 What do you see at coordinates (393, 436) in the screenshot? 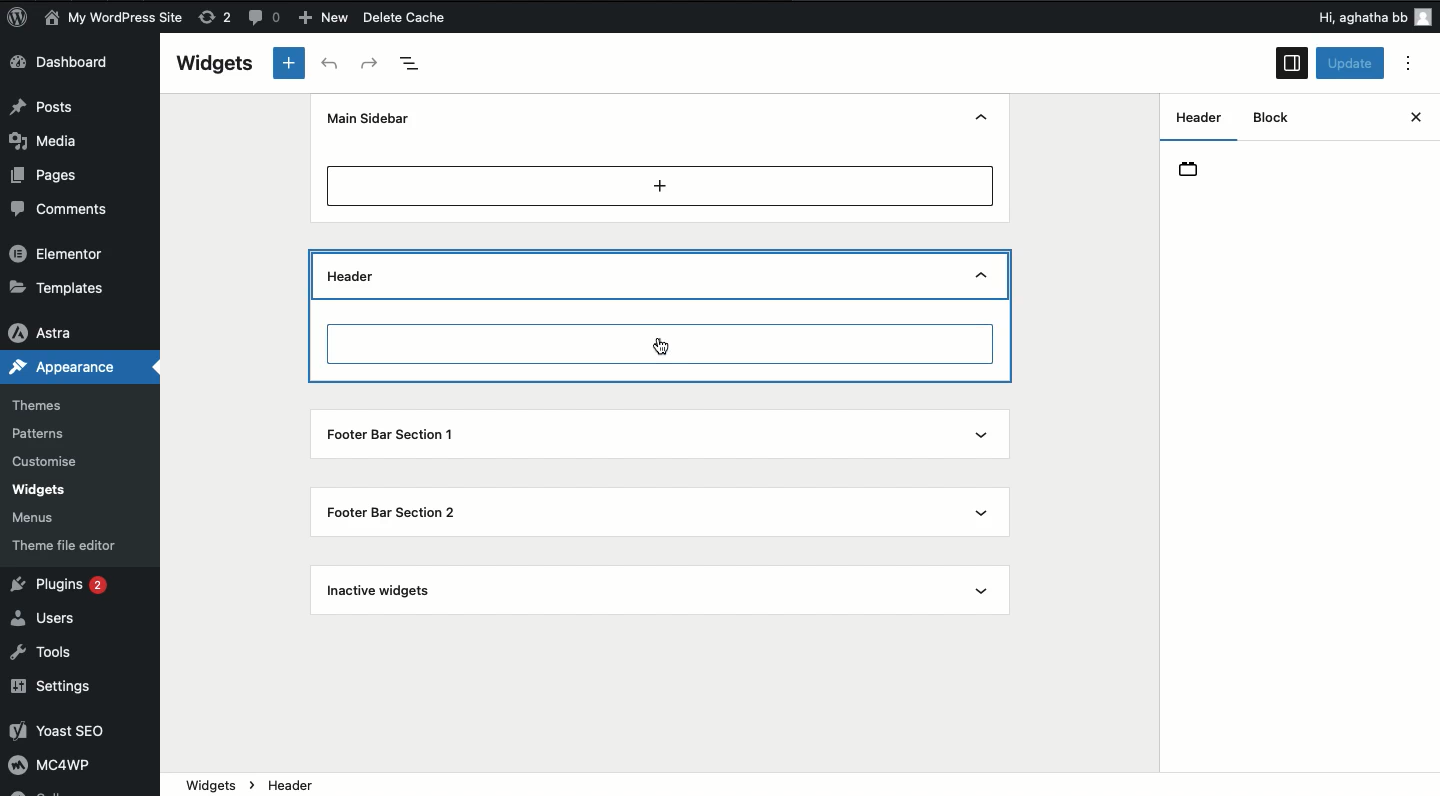
I see `Footer bar section 1` at bounding box center [393, 436].